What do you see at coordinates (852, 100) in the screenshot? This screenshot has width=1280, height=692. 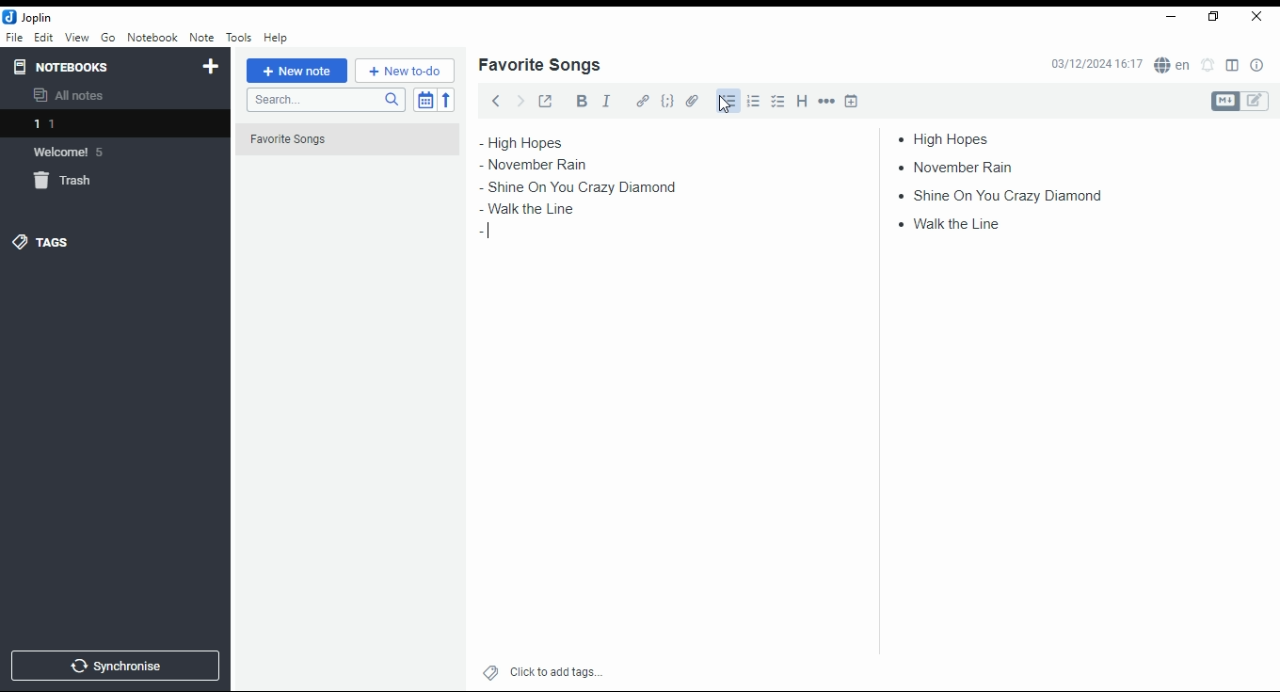 I see `insert time` at bounding box center [852, 100].